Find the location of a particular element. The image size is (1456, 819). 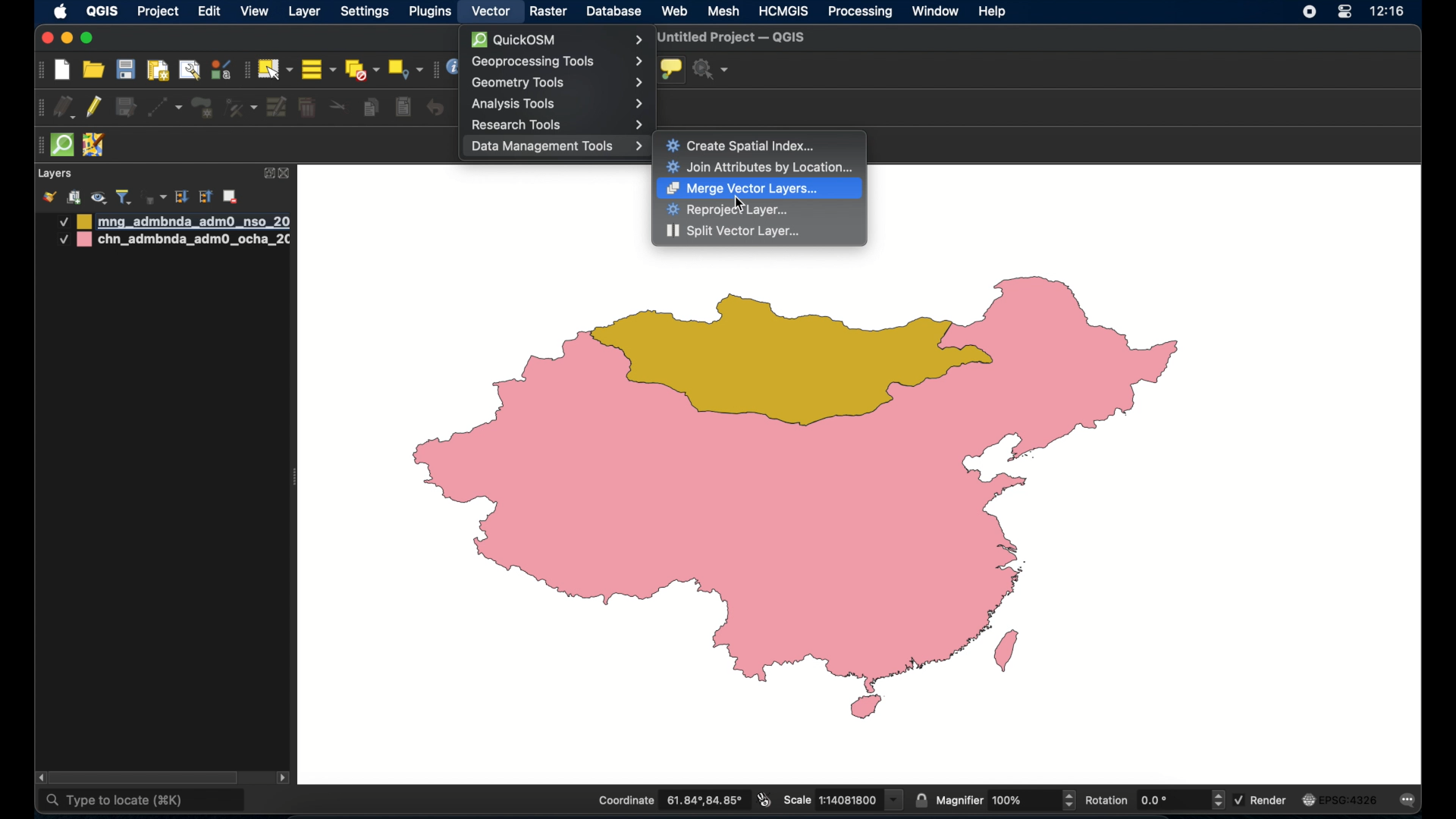

rotation is located at coordinates (1153, 801).